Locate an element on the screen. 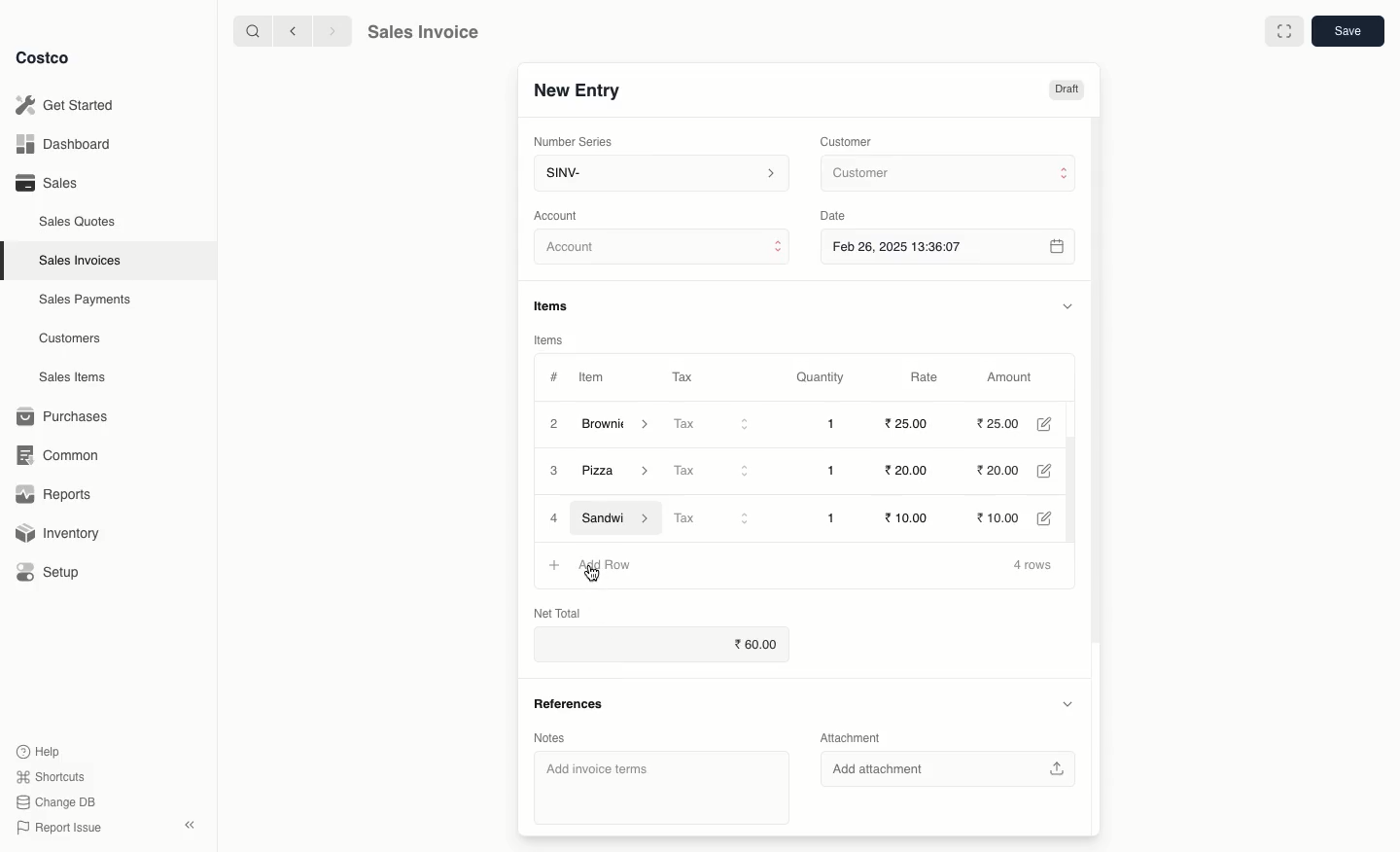  Brownie is located at coordinates (617, 424).